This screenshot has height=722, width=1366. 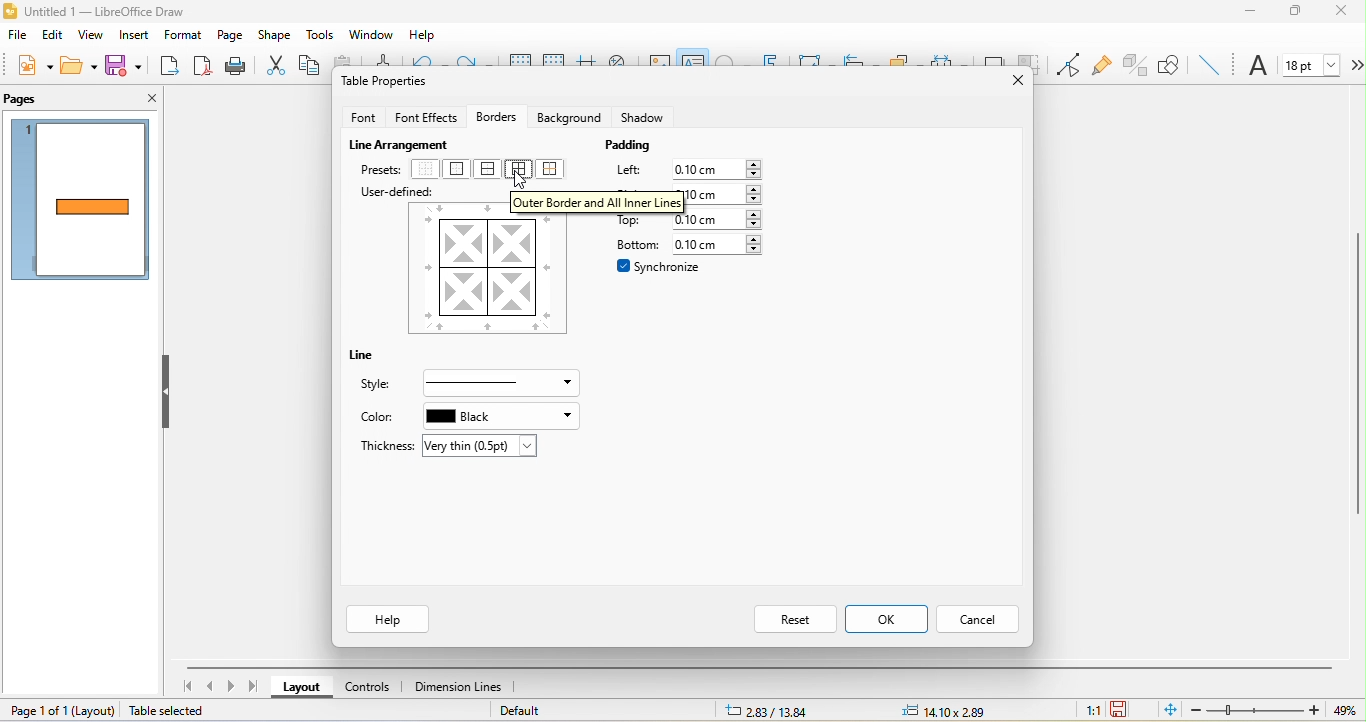 What do you see at coordinates (1253, 14) in the screenshot?
I see `minimize` at bounding box center [1253, 14].